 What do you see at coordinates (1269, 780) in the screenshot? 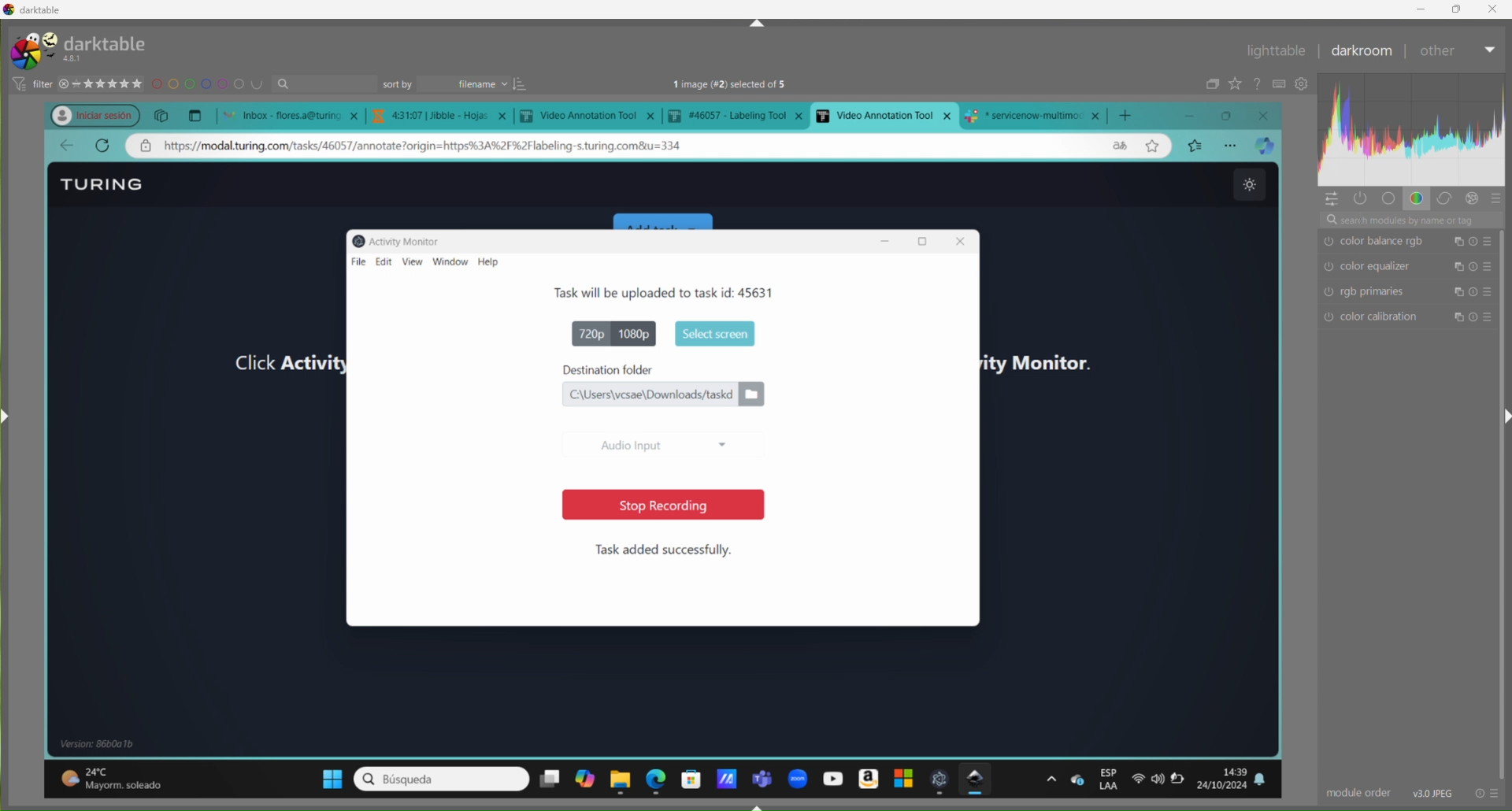
I see `notifications` at bounding box center [1269, 780].